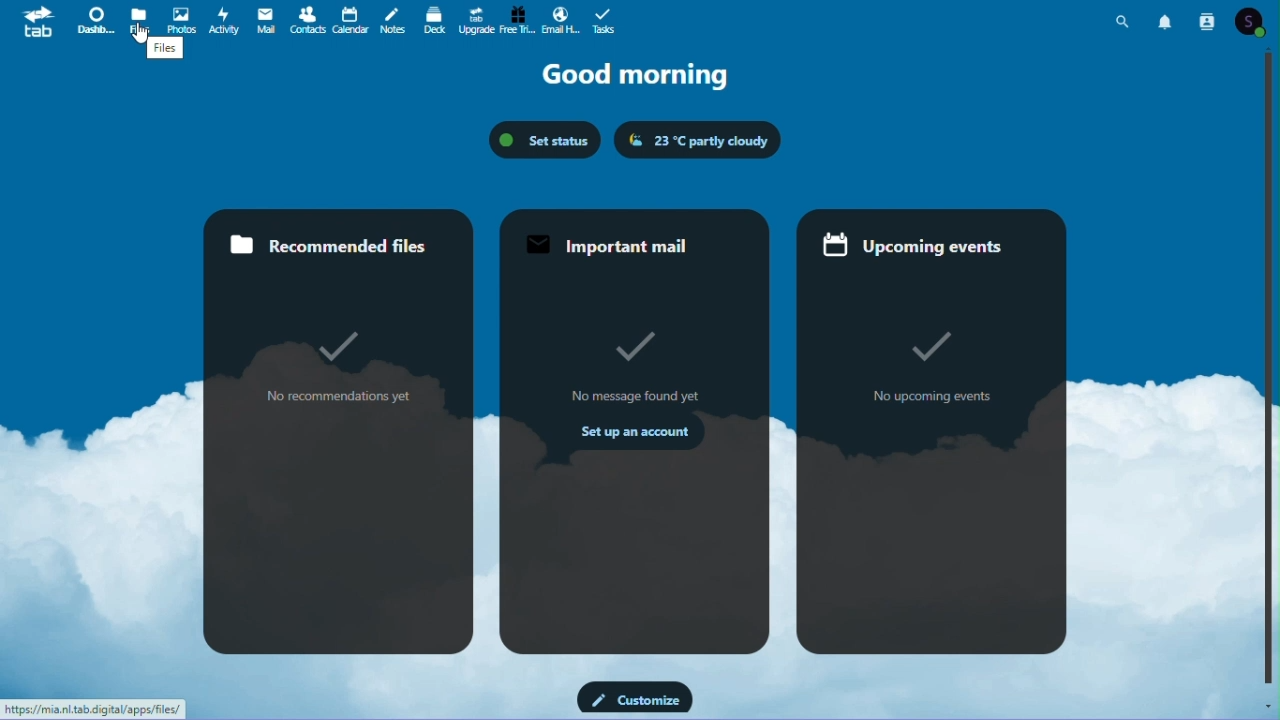  I want to click on URL, so click(94, 709).